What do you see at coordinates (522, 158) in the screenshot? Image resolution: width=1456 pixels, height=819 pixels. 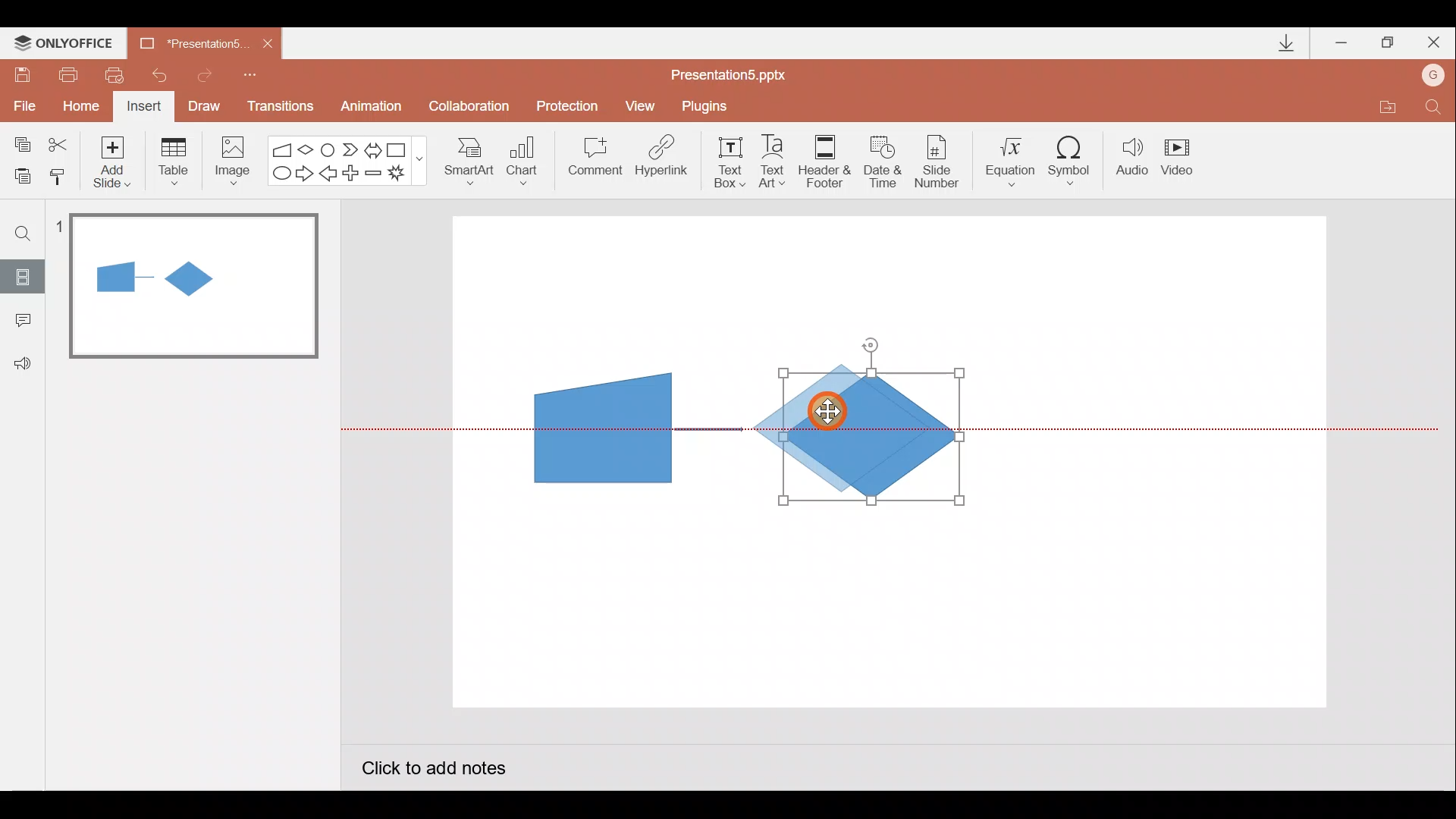 I see `Chart` at bounding box center [522, 158].